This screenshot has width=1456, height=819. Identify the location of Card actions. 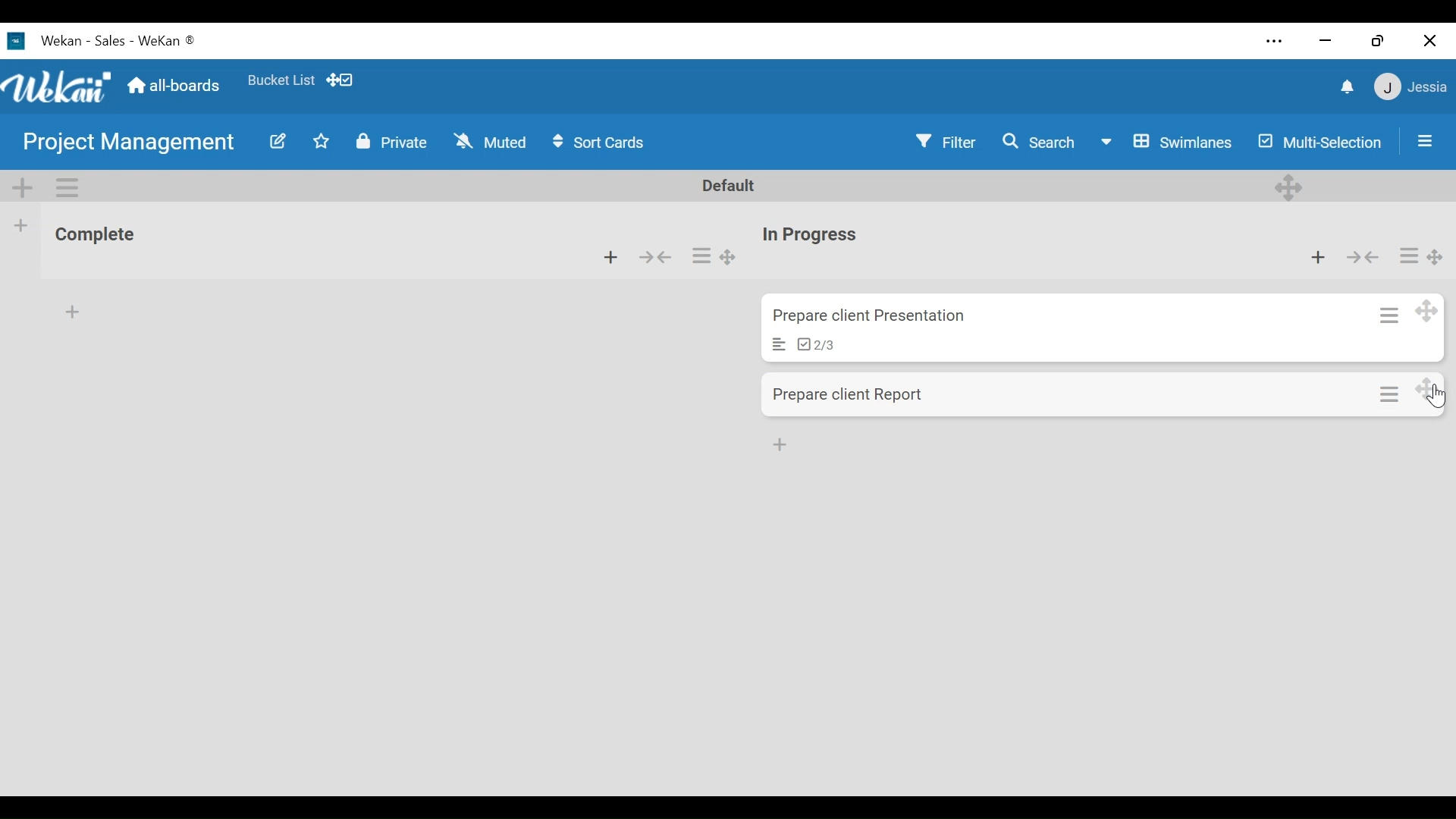
(1390, 391).